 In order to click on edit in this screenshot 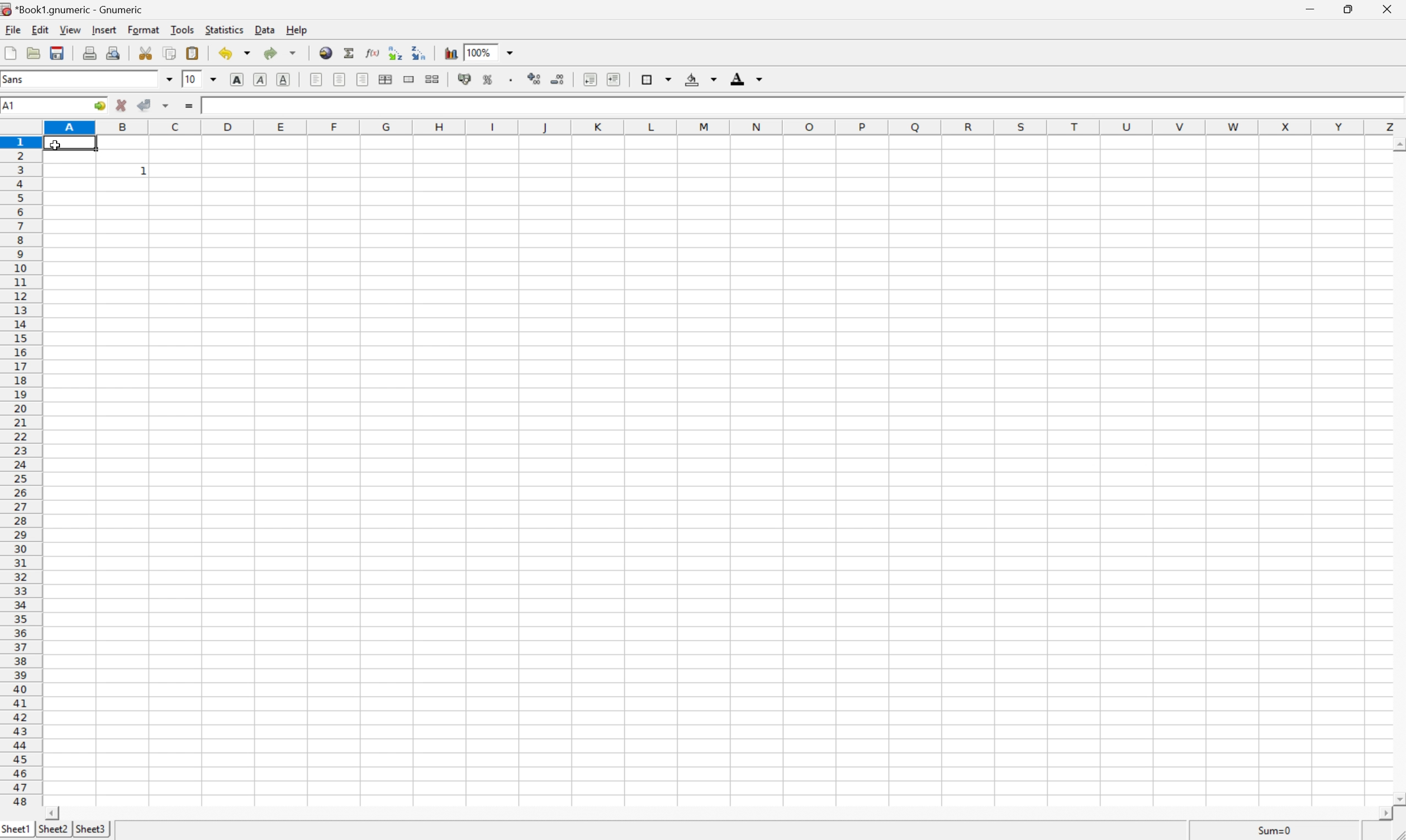, I will do `click(41, 31)`.